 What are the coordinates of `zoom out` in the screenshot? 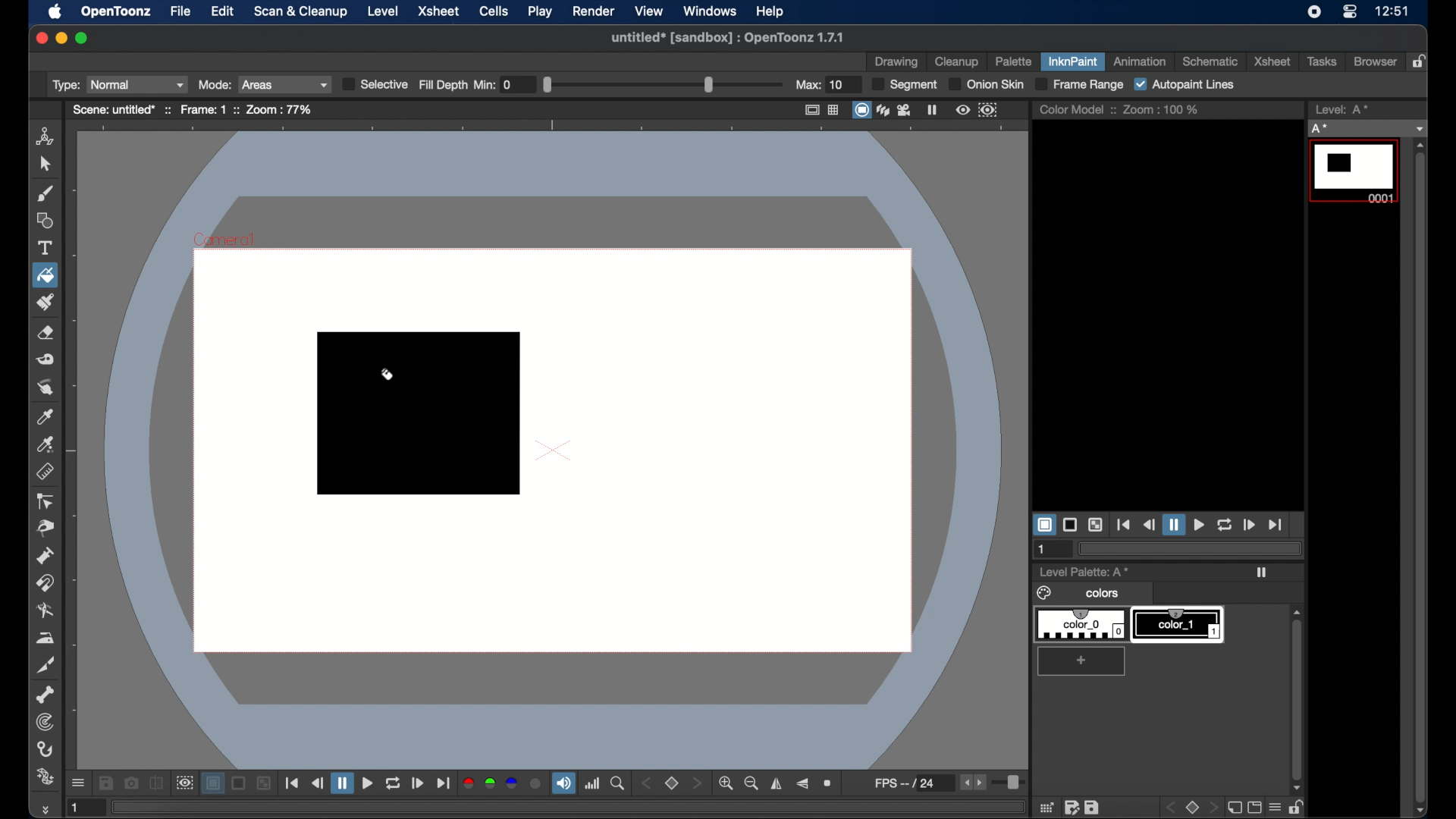 It's located at (752, 783).